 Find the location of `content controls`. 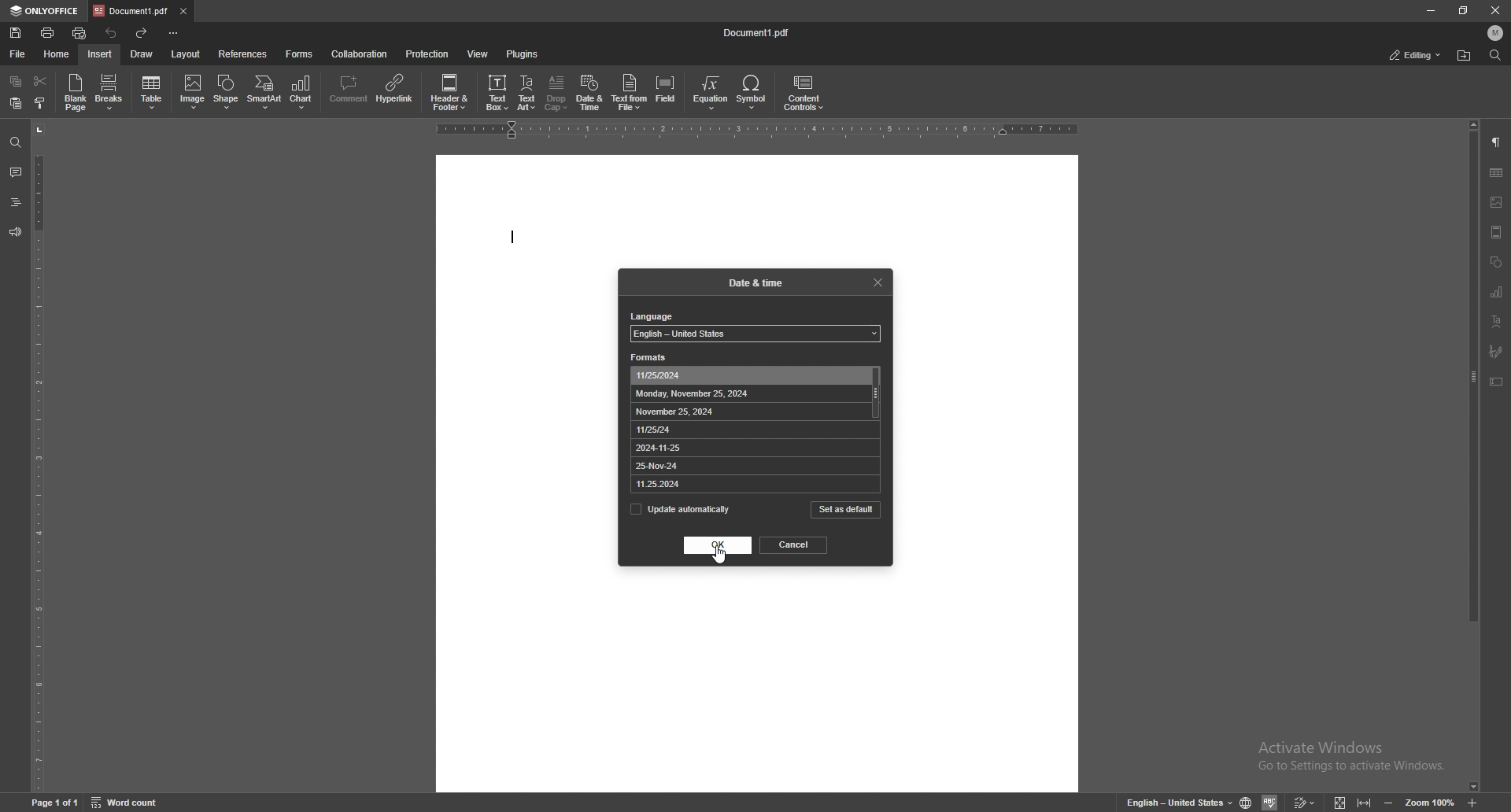

content controls is located at coordinates (804, 93).